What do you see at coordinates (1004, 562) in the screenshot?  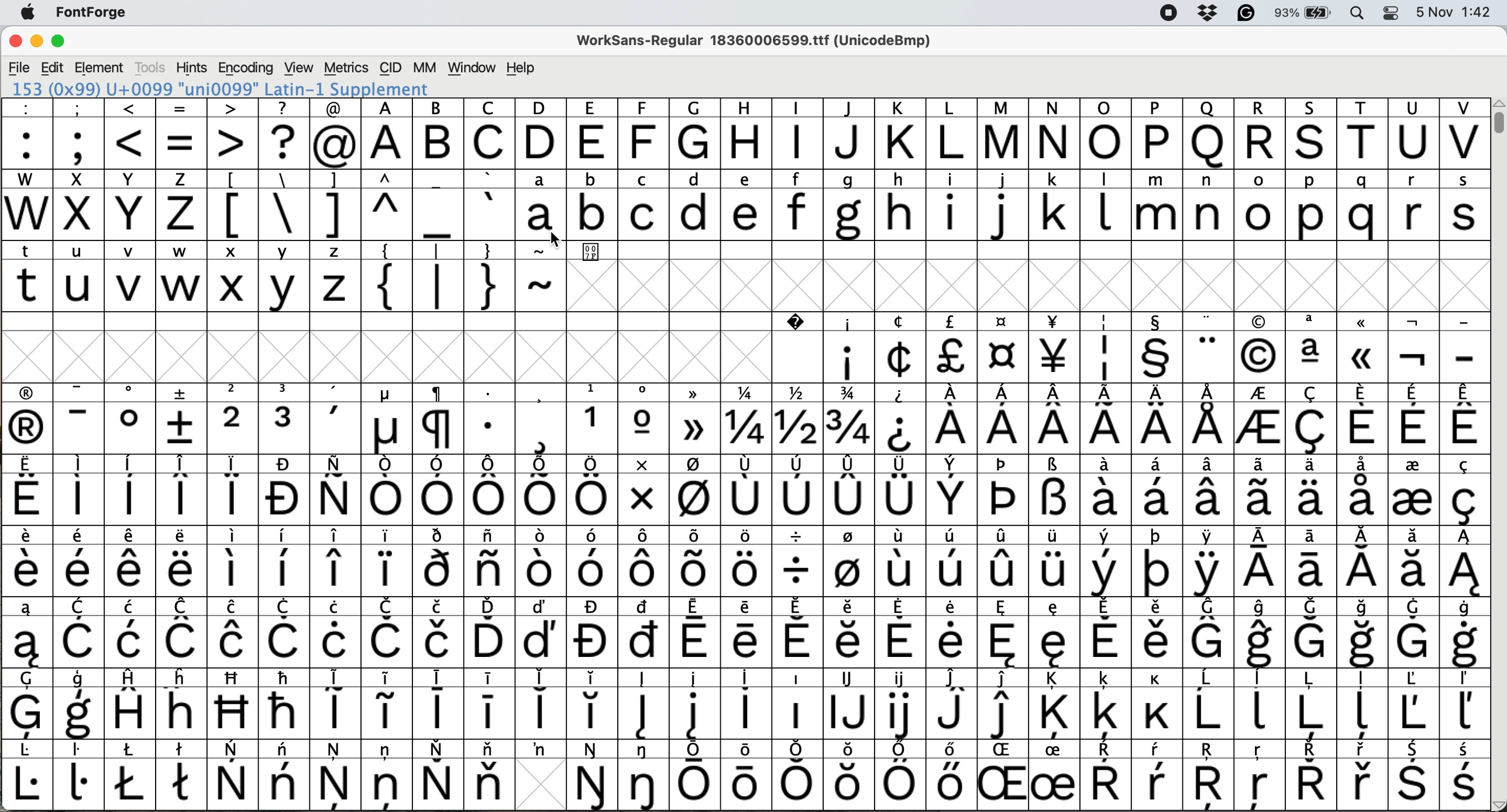 I see `symbol` at bounding box center [1004, 562].